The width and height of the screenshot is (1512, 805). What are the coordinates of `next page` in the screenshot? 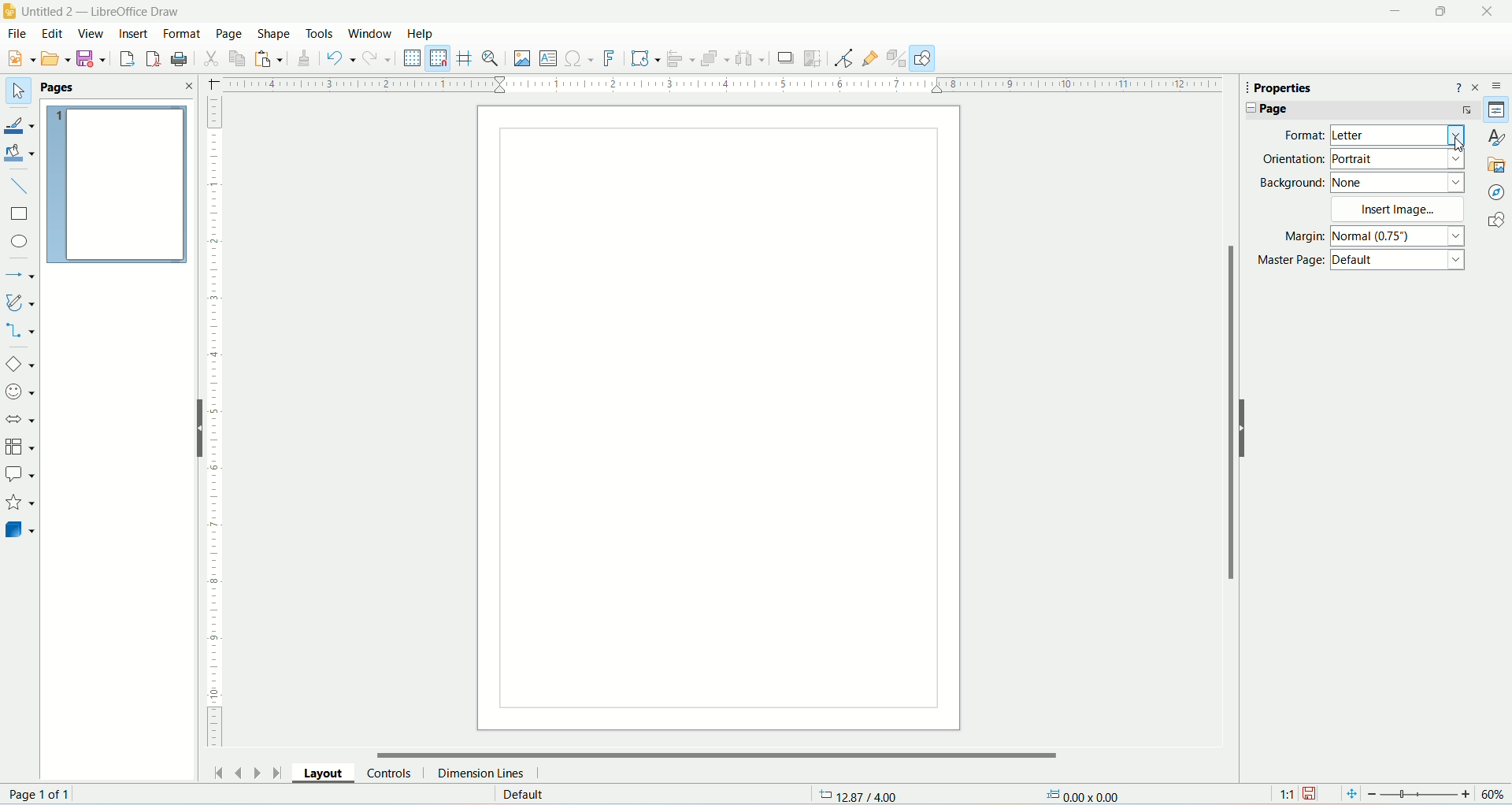 It's located at (256, 772).